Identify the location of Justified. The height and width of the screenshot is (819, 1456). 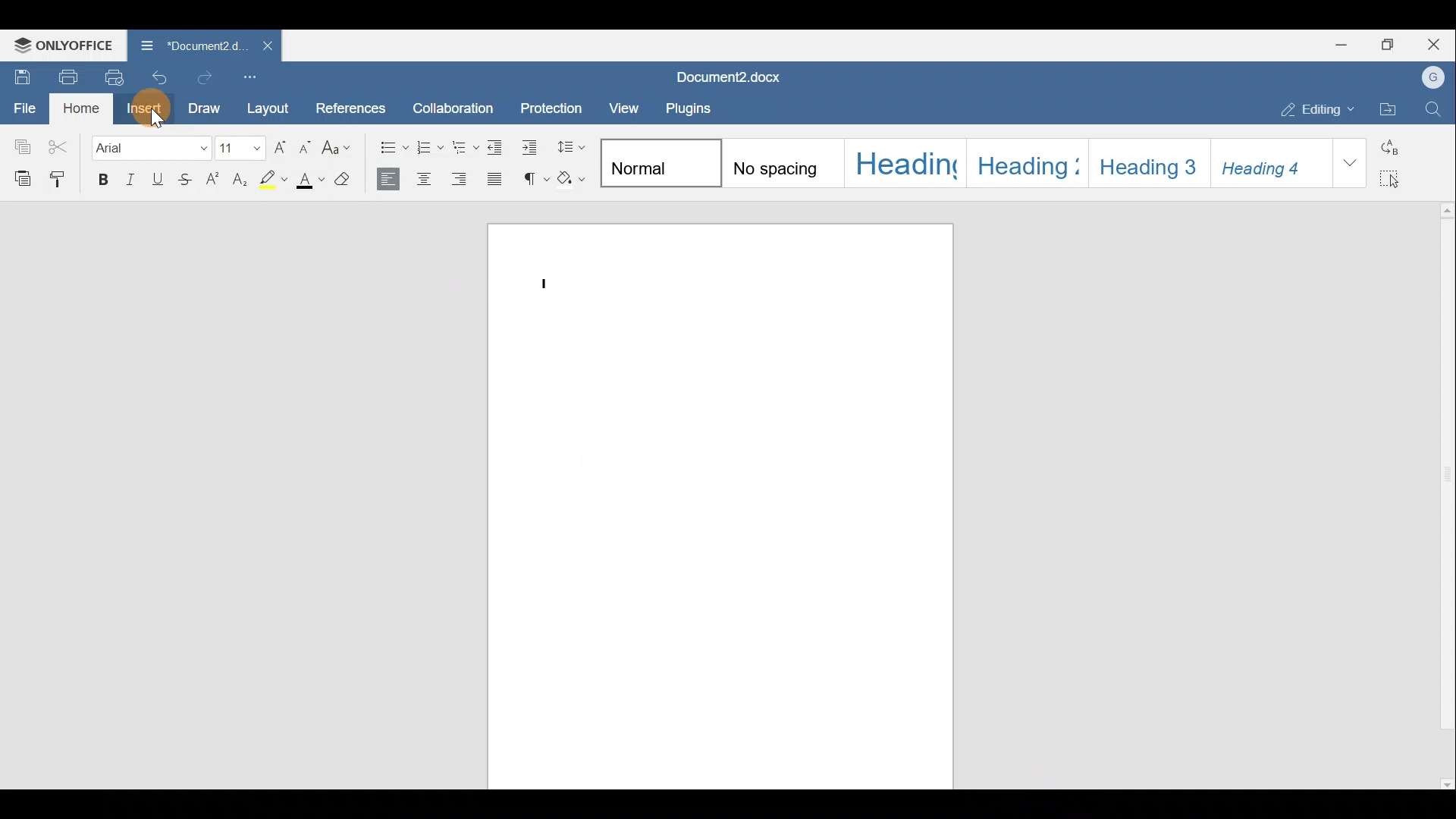
(496, 179).